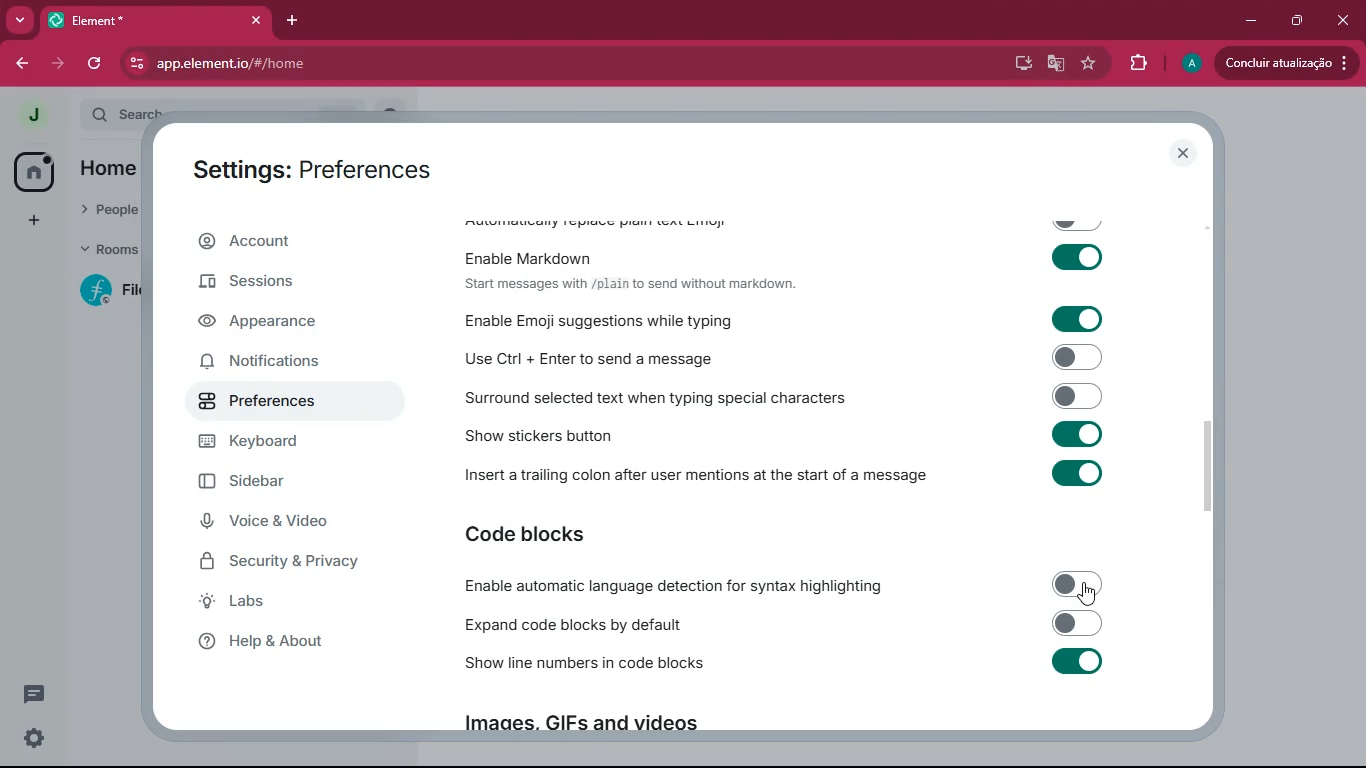 The image size is (1366, 768). What do you see at coordinates (1248, 20) in the screenshot?
I see `minimize` at bounding box center [1248, 20].